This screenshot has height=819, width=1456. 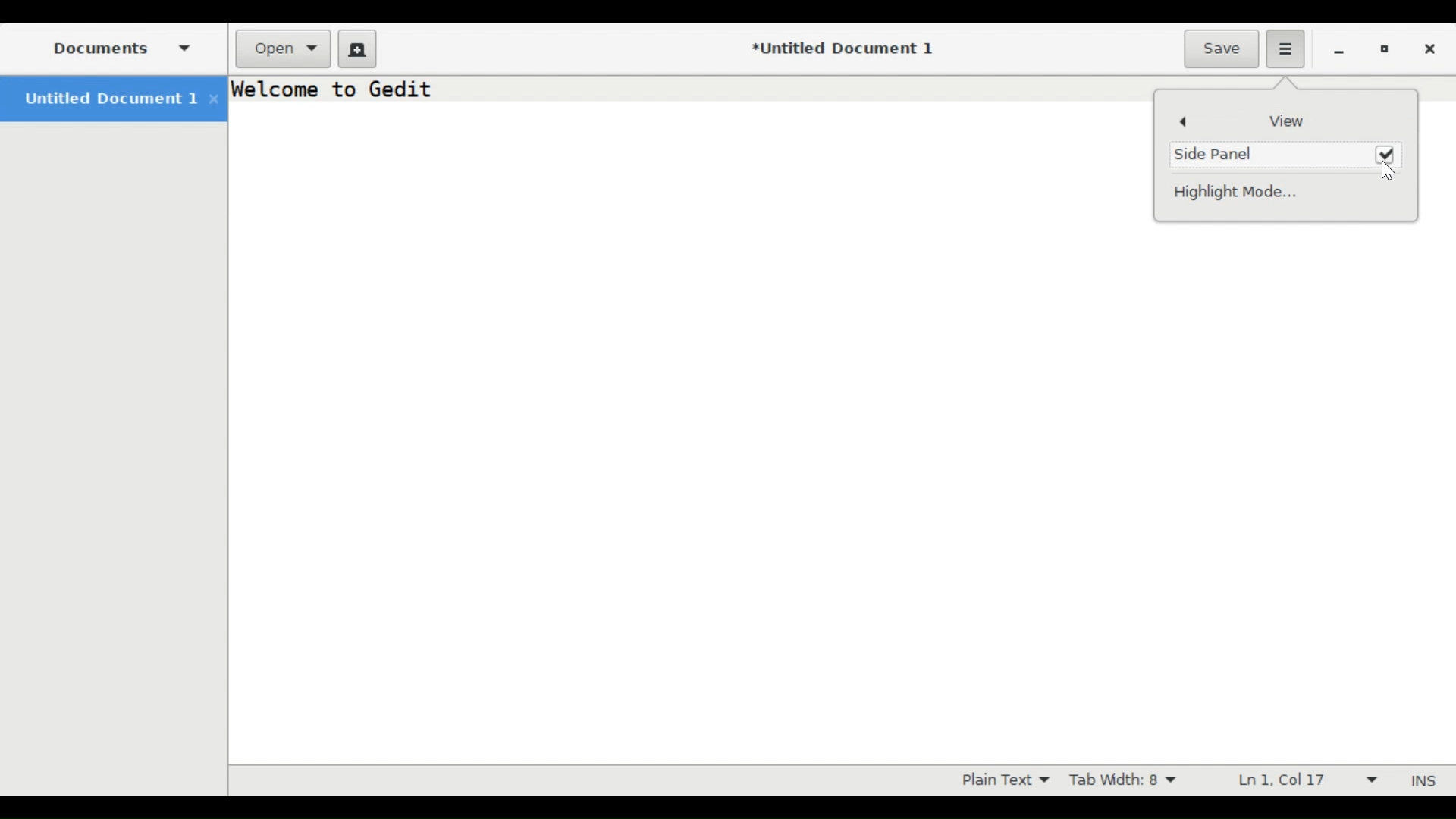 I want to click on View, so click(x=1284, y=121).